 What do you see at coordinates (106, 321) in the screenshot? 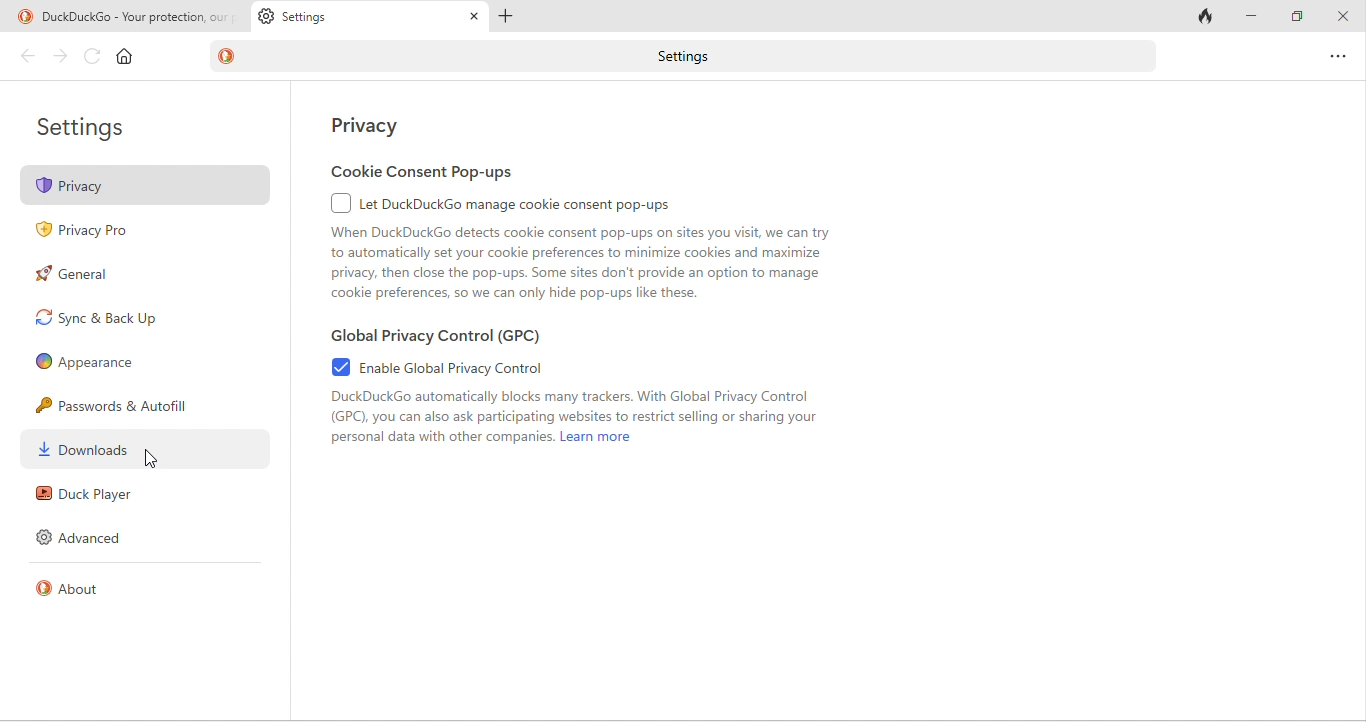
I see `sync and back up` at bounding box center [106, 321].